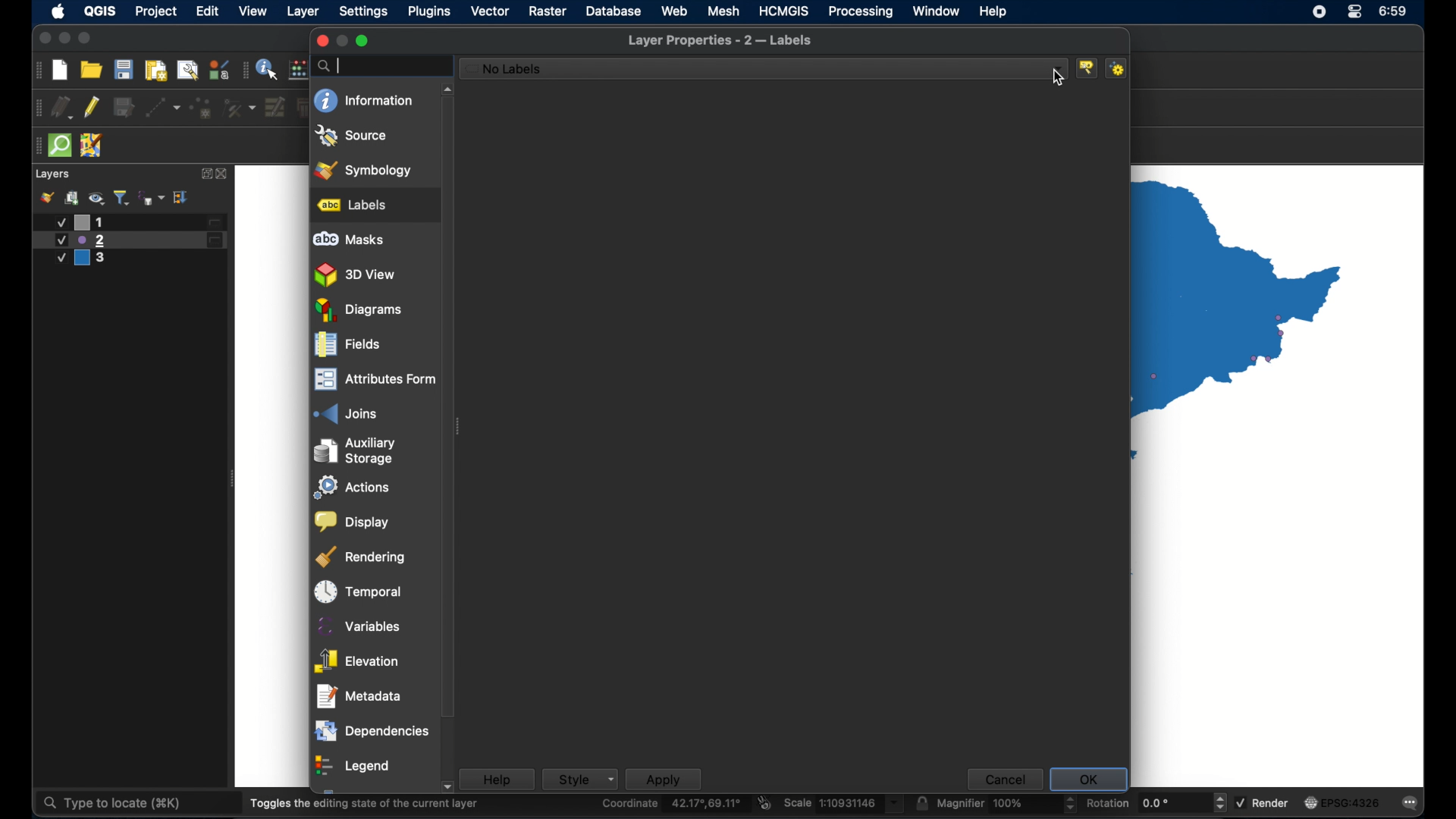  I want to click on rendering, so click(361, 557).